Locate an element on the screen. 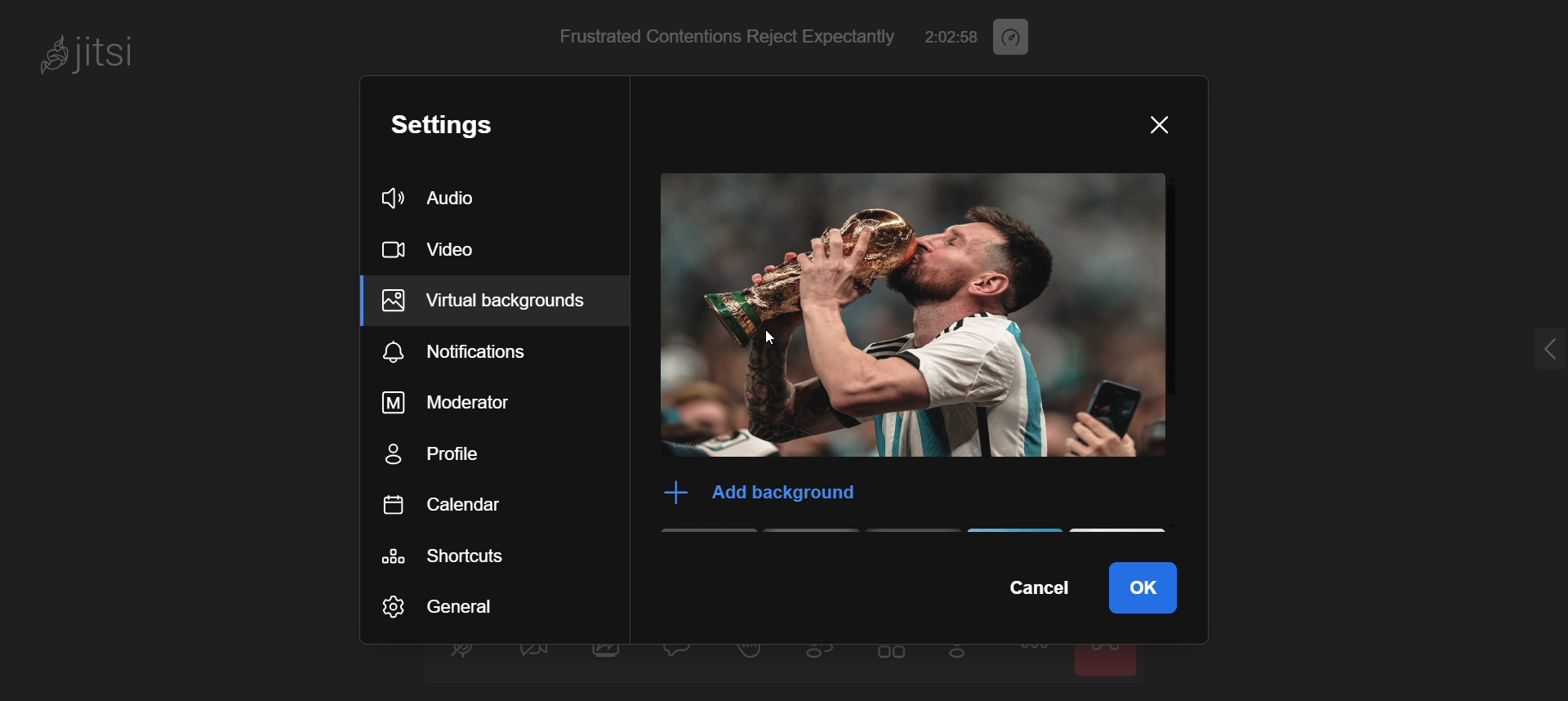 The image size is (1568, 701). add background is located at coordinates (751, 492).